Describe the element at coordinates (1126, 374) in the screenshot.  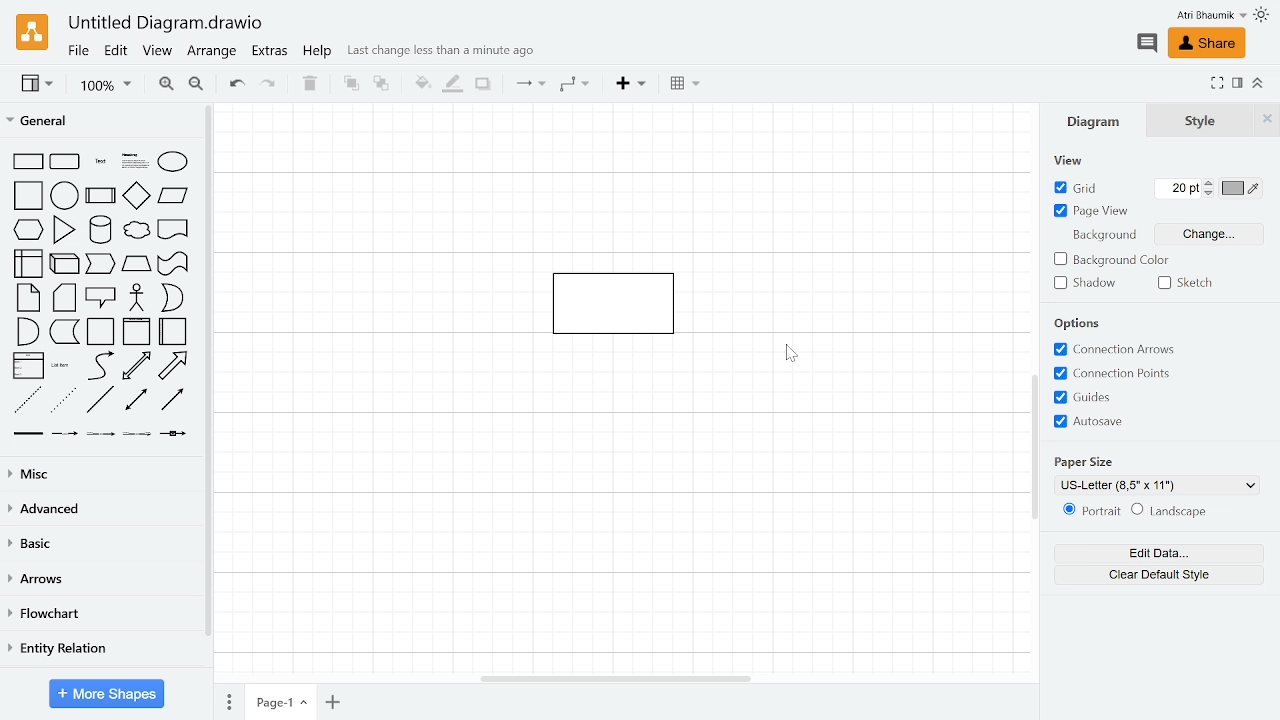
I see `Connection points` at that location.